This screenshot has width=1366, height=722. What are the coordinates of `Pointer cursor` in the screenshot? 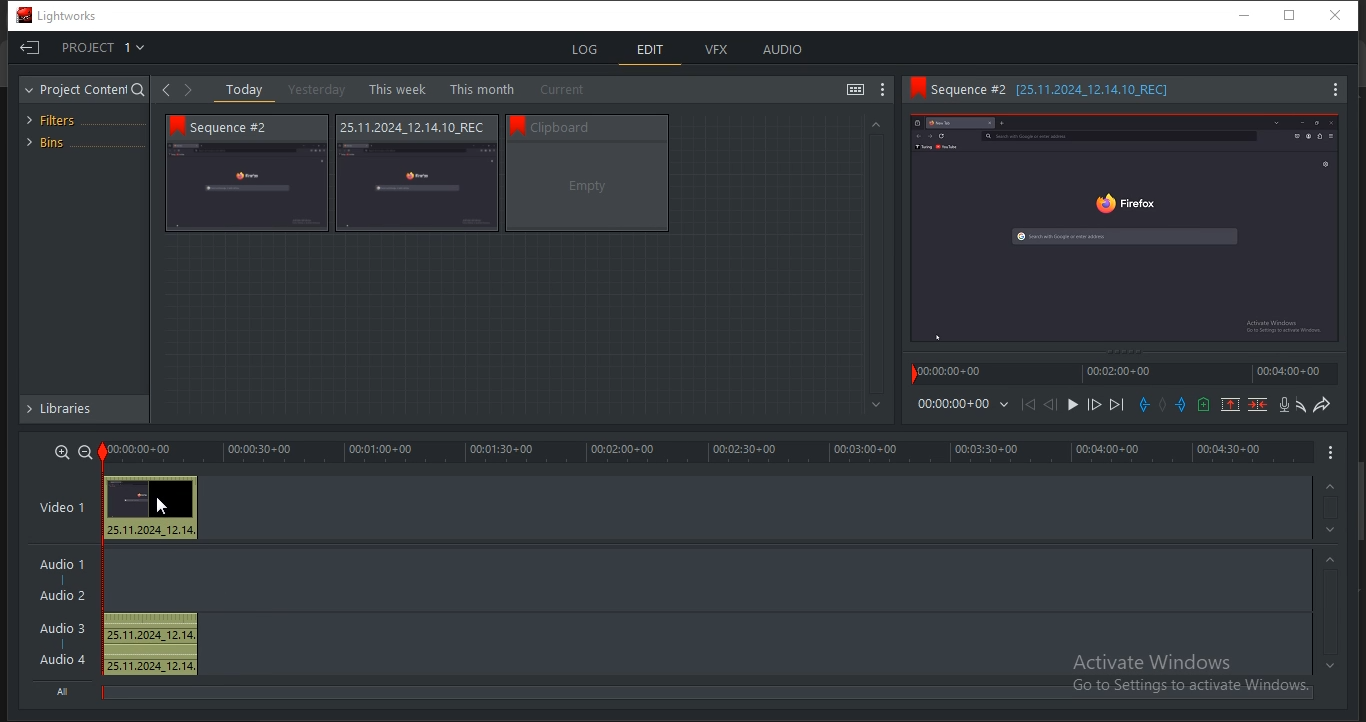 It's located at (162, 506).